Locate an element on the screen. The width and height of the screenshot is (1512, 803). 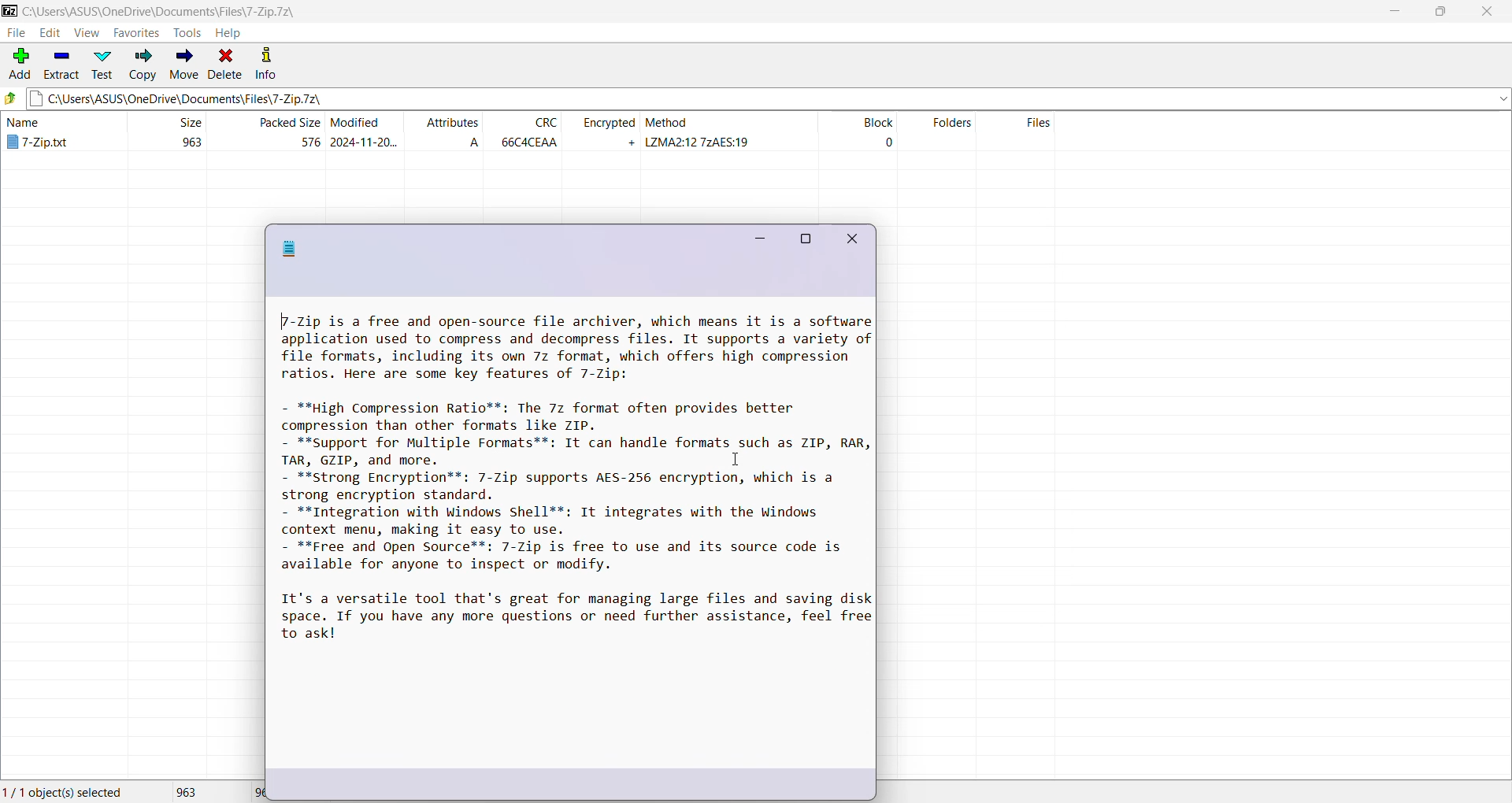
Minimize is located at coordinates (758, 237).